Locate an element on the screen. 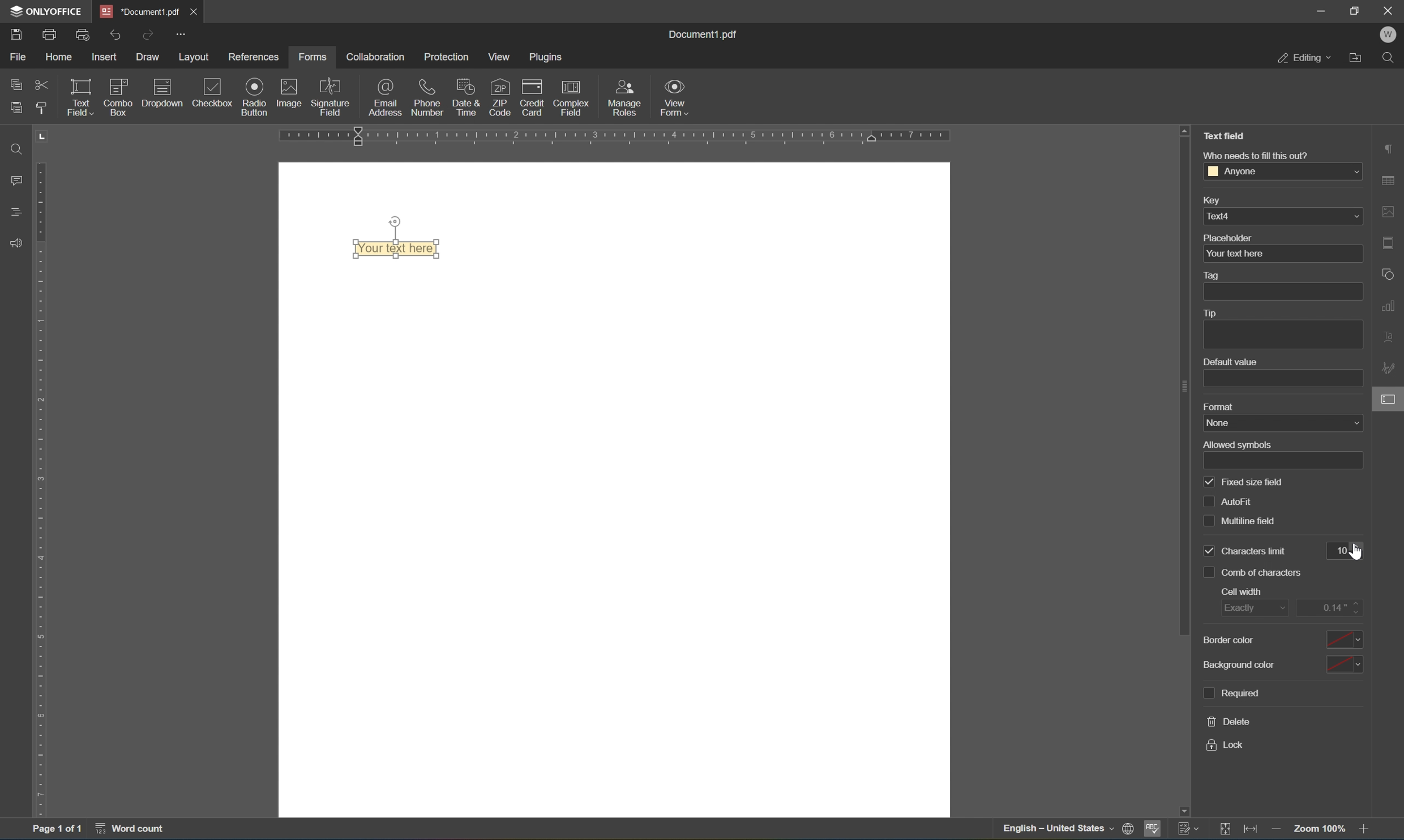 This screenshot has height=840, width=1404. text field is located at coordinates (78, 97).